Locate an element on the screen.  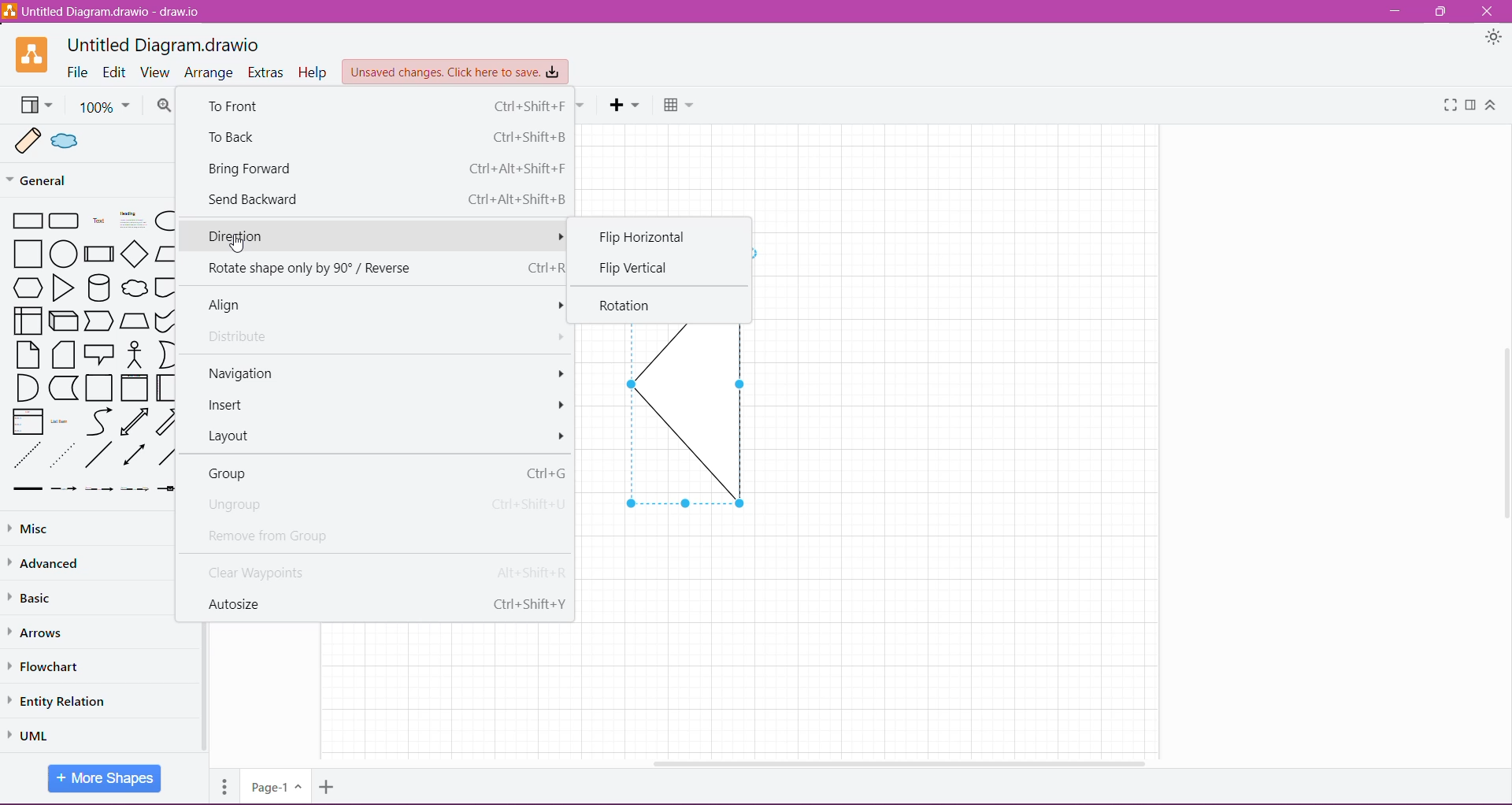
Bring Forward Ctrl+Alt+Shift+F is located at coordinates (387, 170).